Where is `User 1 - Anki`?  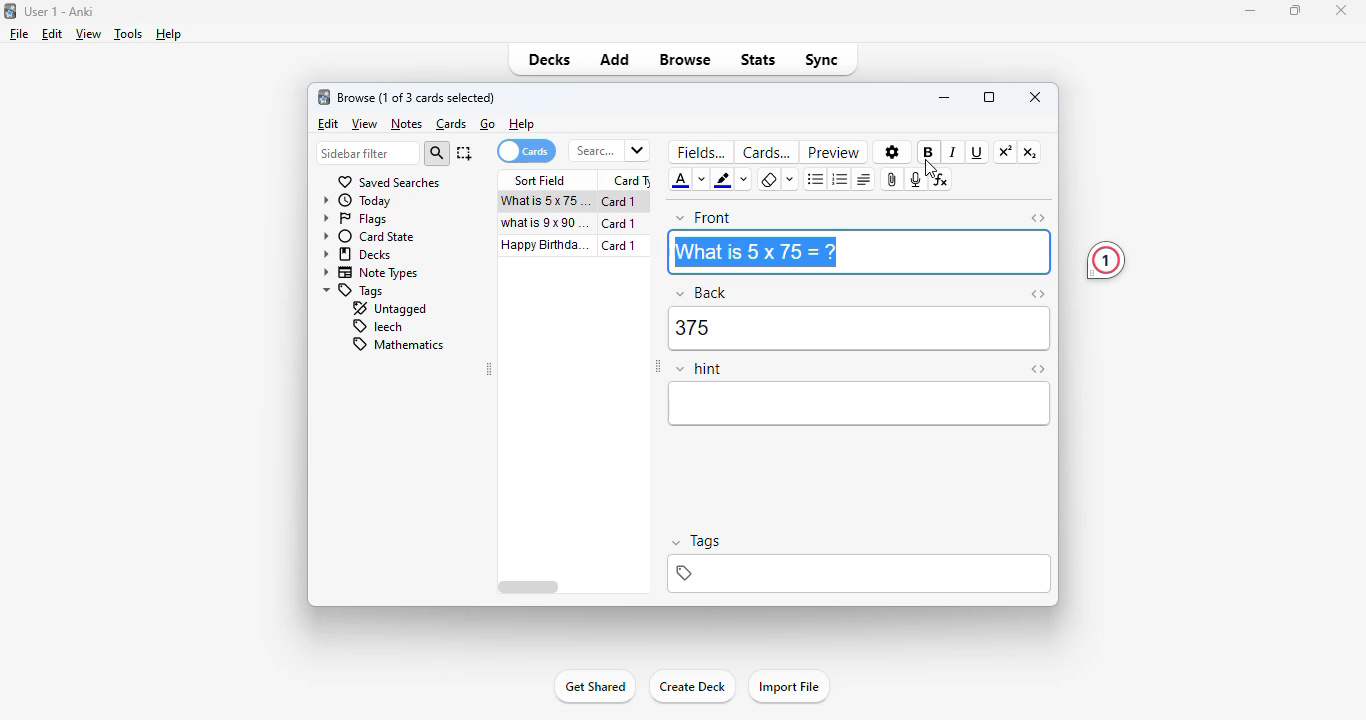 User 1 - Anki is located at coordinates (60, 11).